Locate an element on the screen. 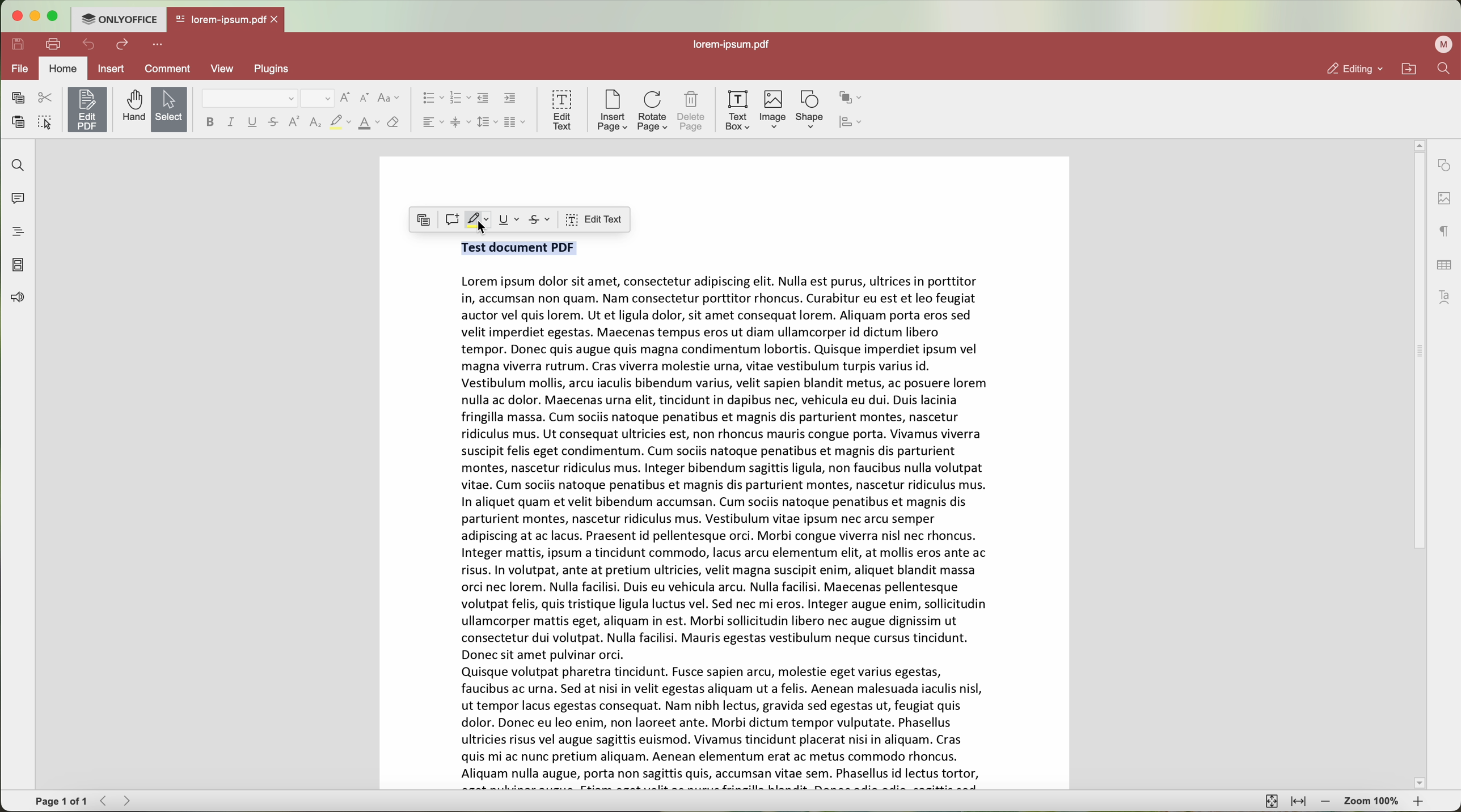 The height and width of the screenshot is (812, 1461). font type is located at coordinates (250, 99).